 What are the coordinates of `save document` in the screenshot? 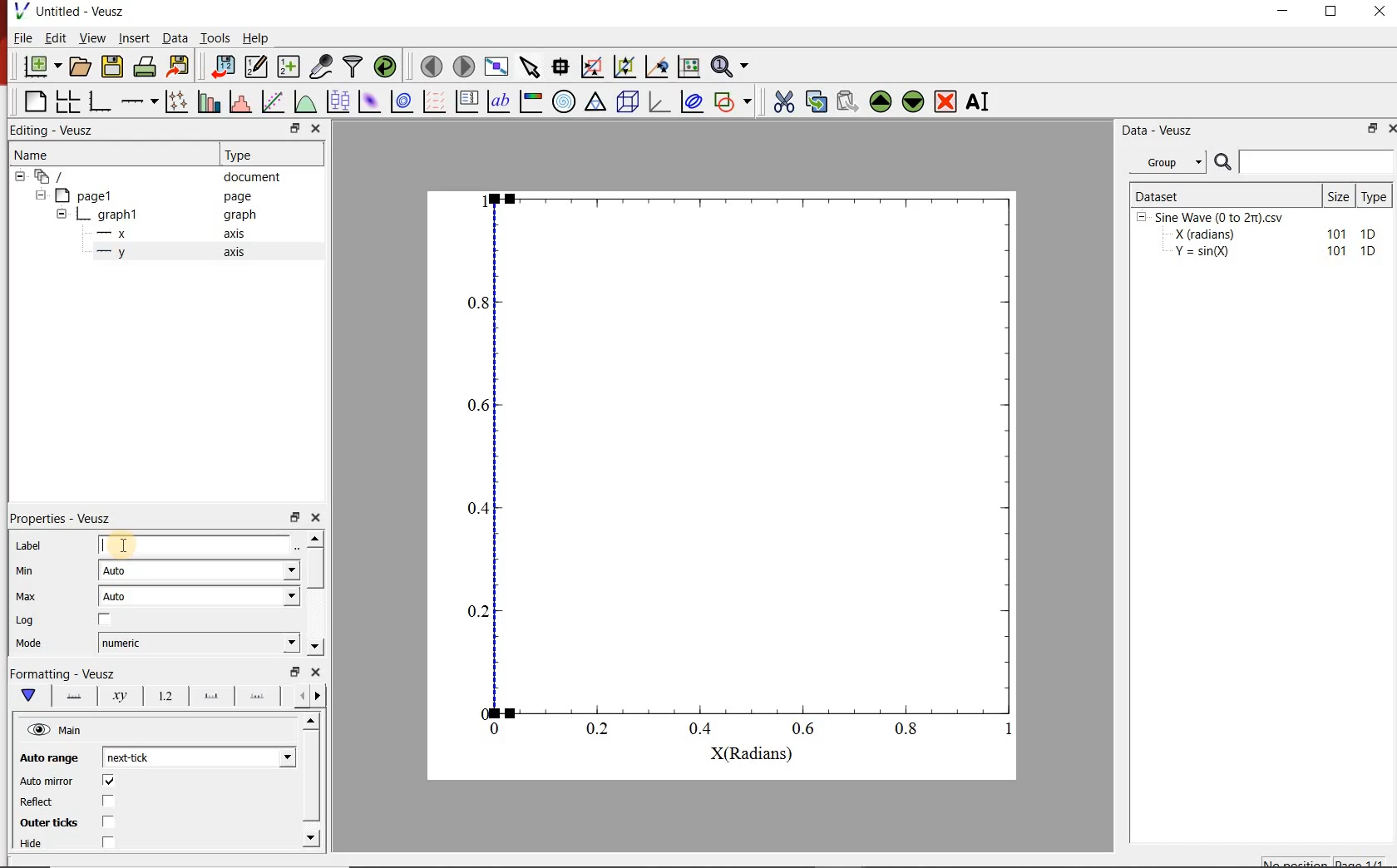 It's located at (112, 67).